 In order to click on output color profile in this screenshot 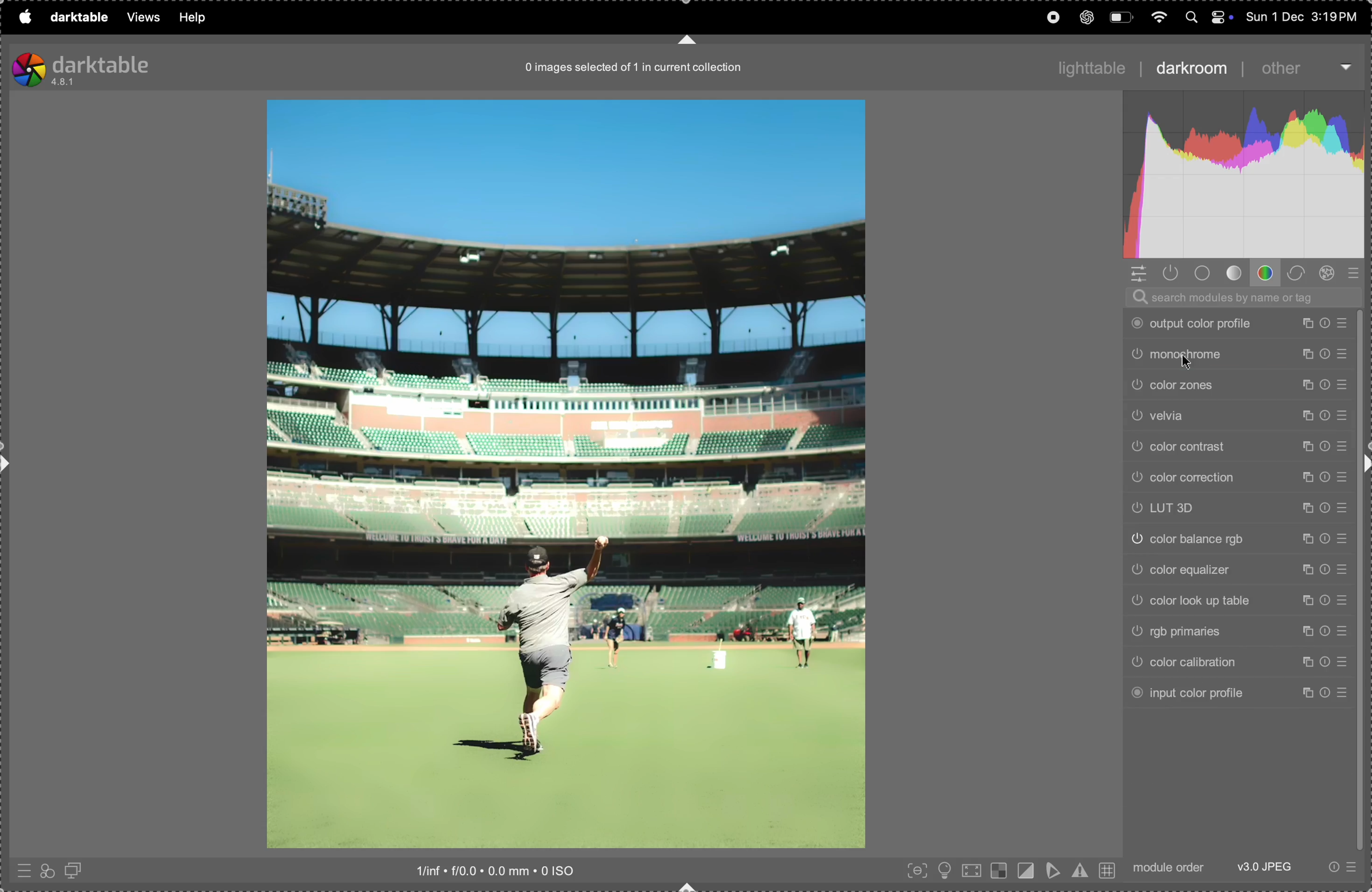, I will do `click(1247, 322)`.